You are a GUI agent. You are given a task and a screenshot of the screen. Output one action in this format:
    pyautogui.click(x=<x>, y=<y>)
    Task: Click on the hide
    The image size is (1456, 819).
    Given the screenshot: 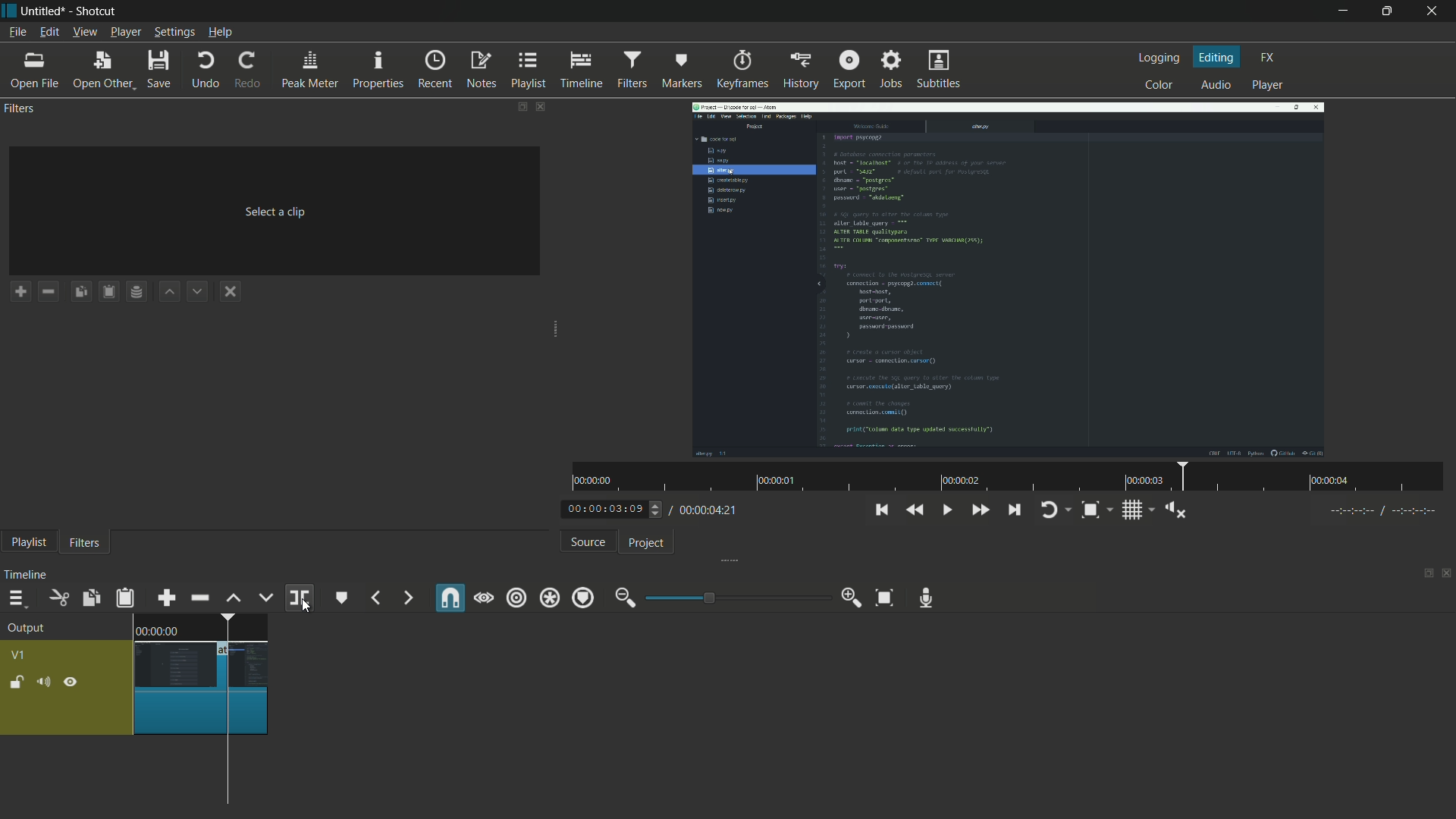 What is the action you would take?
    pyautogui.click(x=71, y=683)
    